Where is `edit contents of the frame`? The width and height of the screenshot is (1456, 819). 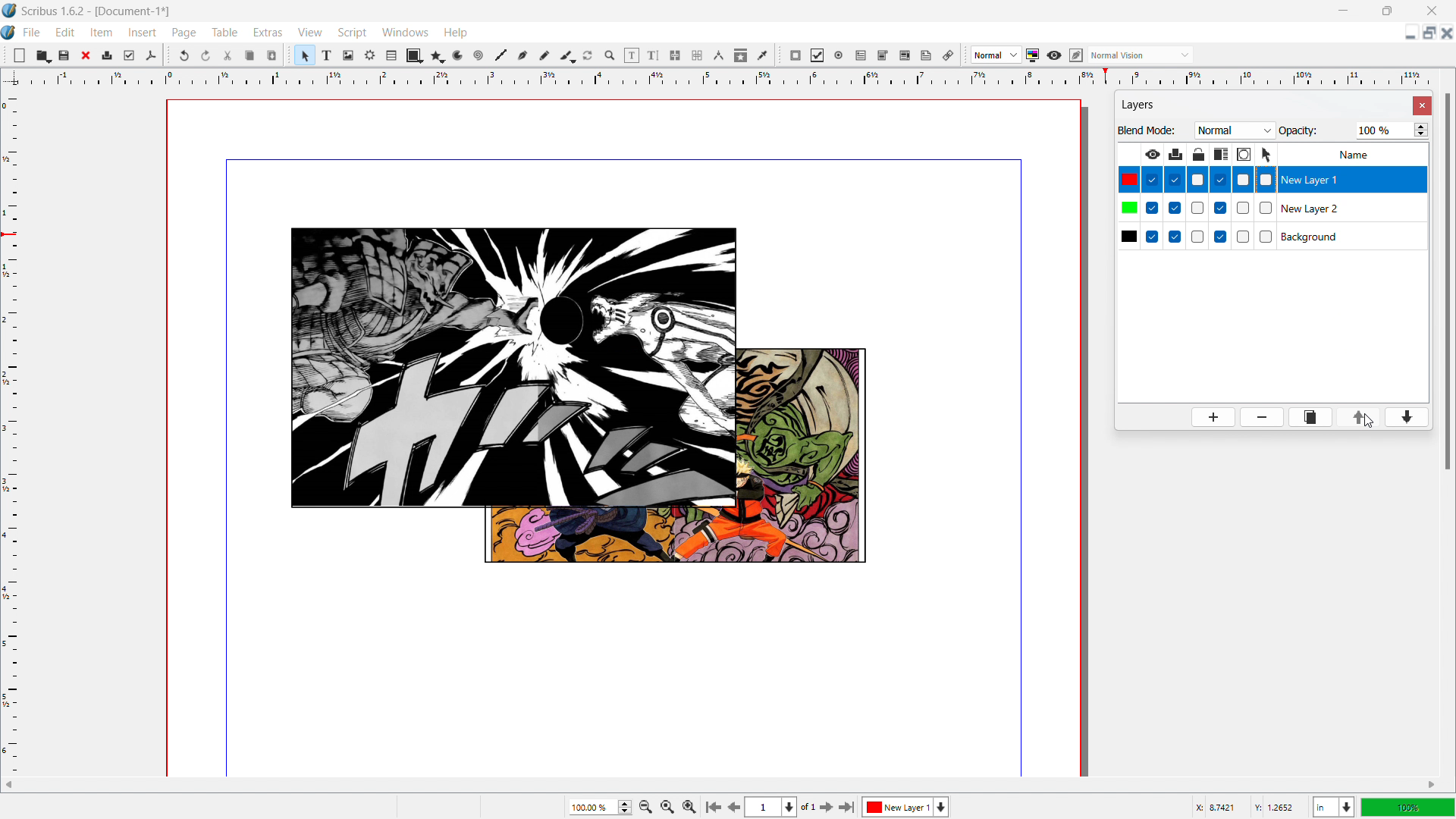 edit contents of the frame is located at coordinates (632, 55).